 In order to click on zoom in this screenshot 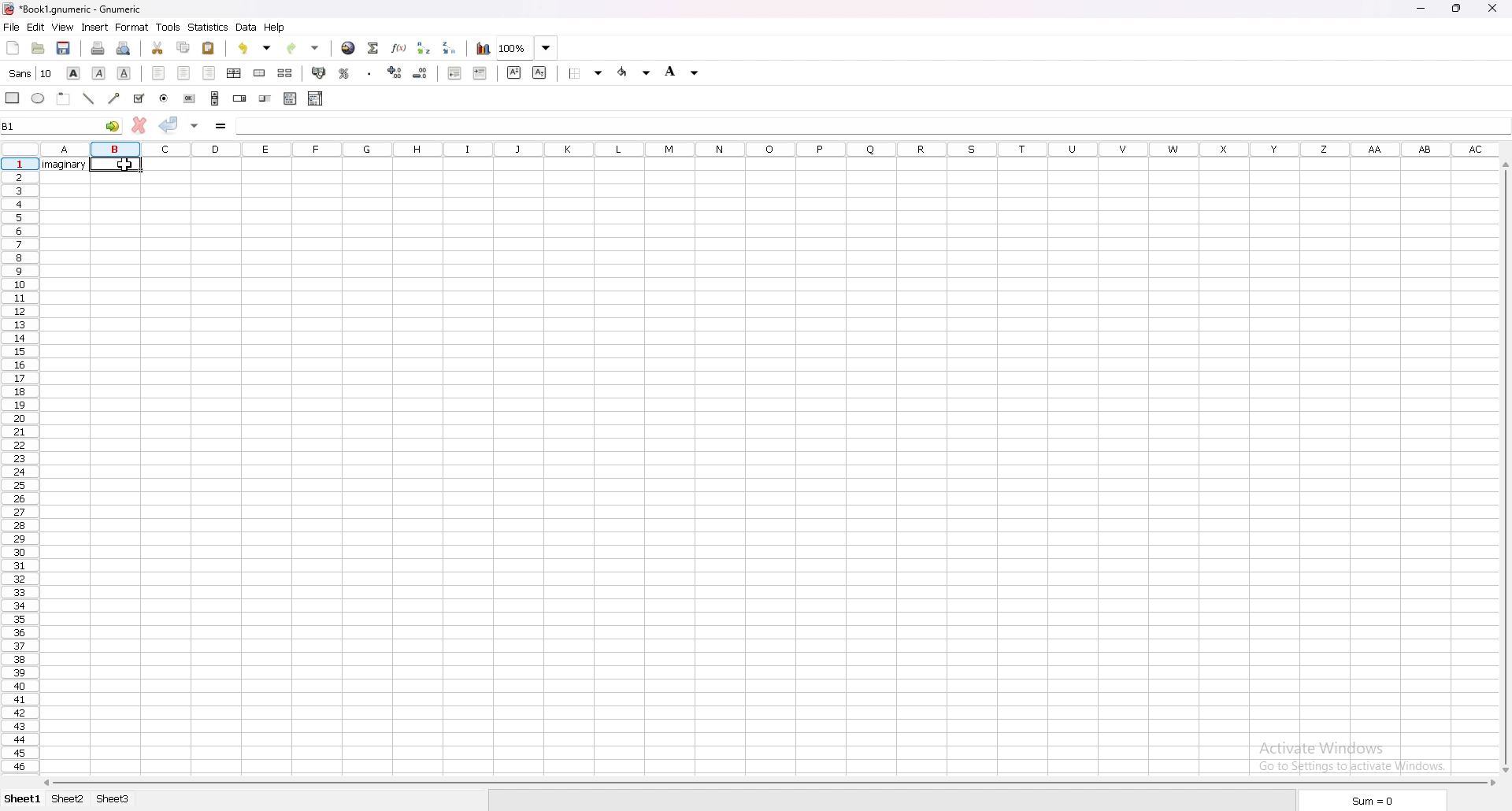, I will do `click(528, 47)`.